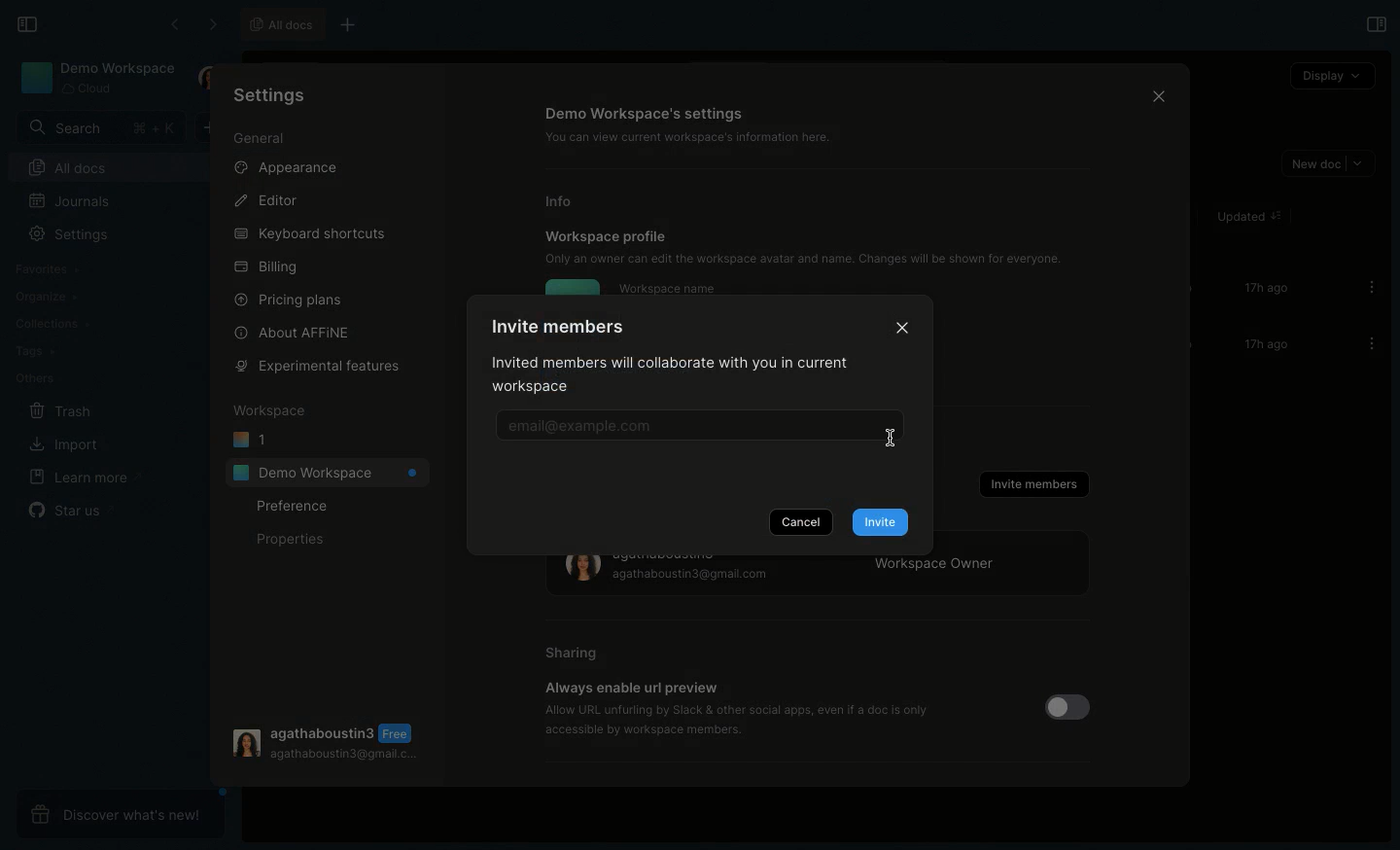  What do you see at coordinates (821, 577) in the screenshot?
I see `Workspace owner` at bounding box center [821, 577].